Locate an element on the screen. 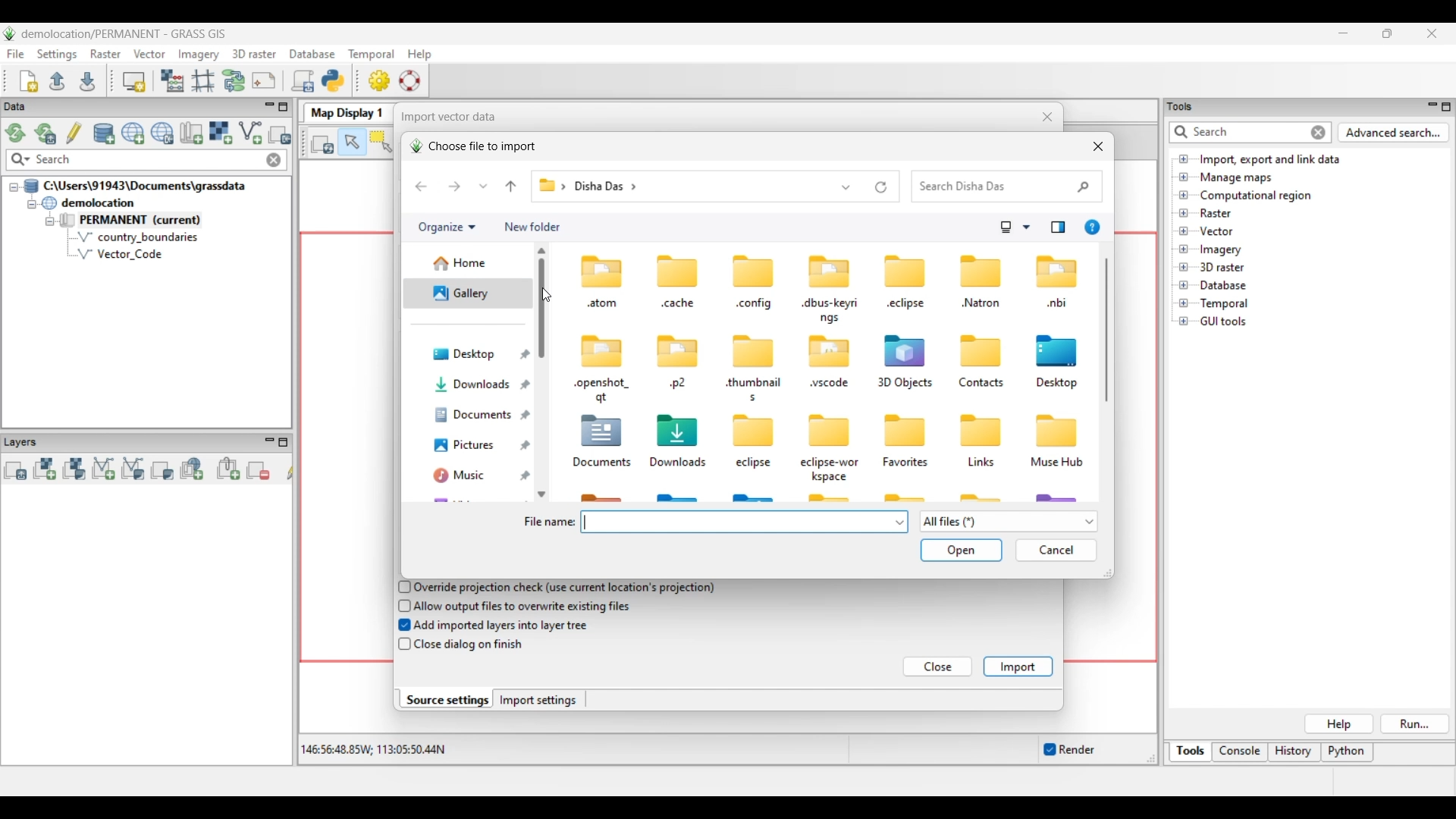 Image resolution: width=1456 pixels, height=819 pixels. Open existing workspace file is located at coordinates (57, 80).